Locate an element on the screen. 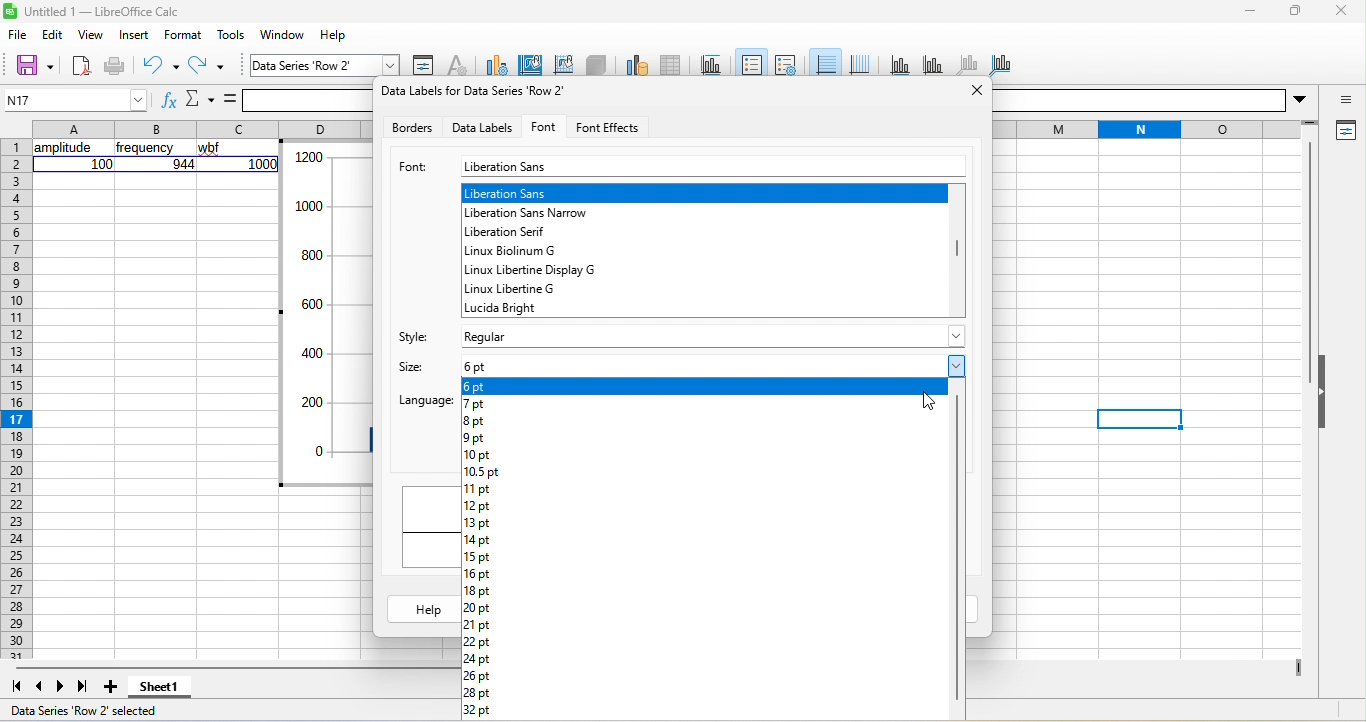 The width and height of the screenshot is (1366, 722). new is located at coordinates (80, 65).